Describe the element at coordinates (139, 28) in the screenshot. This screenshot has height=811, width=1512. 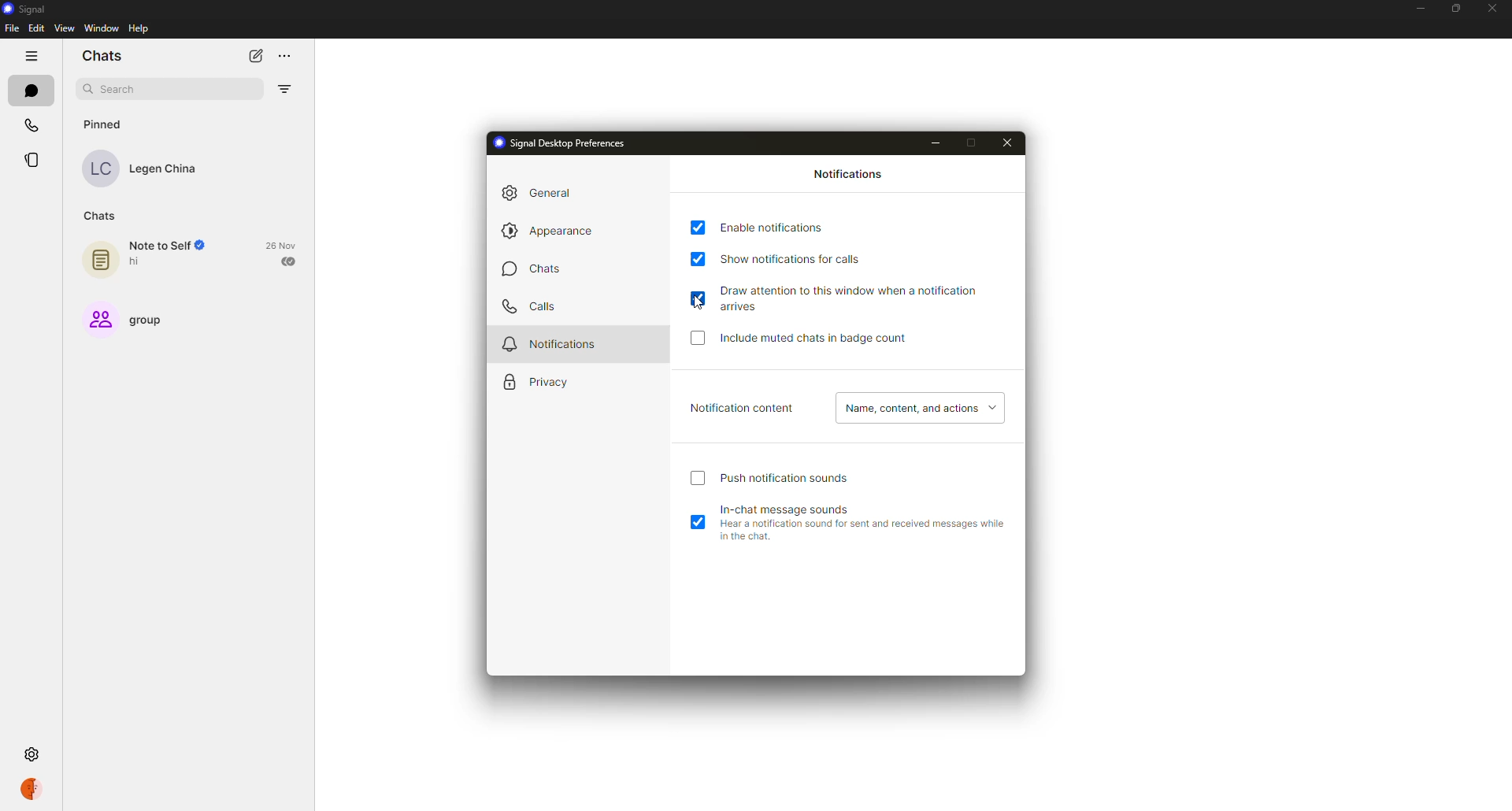
I see `help` at that location.